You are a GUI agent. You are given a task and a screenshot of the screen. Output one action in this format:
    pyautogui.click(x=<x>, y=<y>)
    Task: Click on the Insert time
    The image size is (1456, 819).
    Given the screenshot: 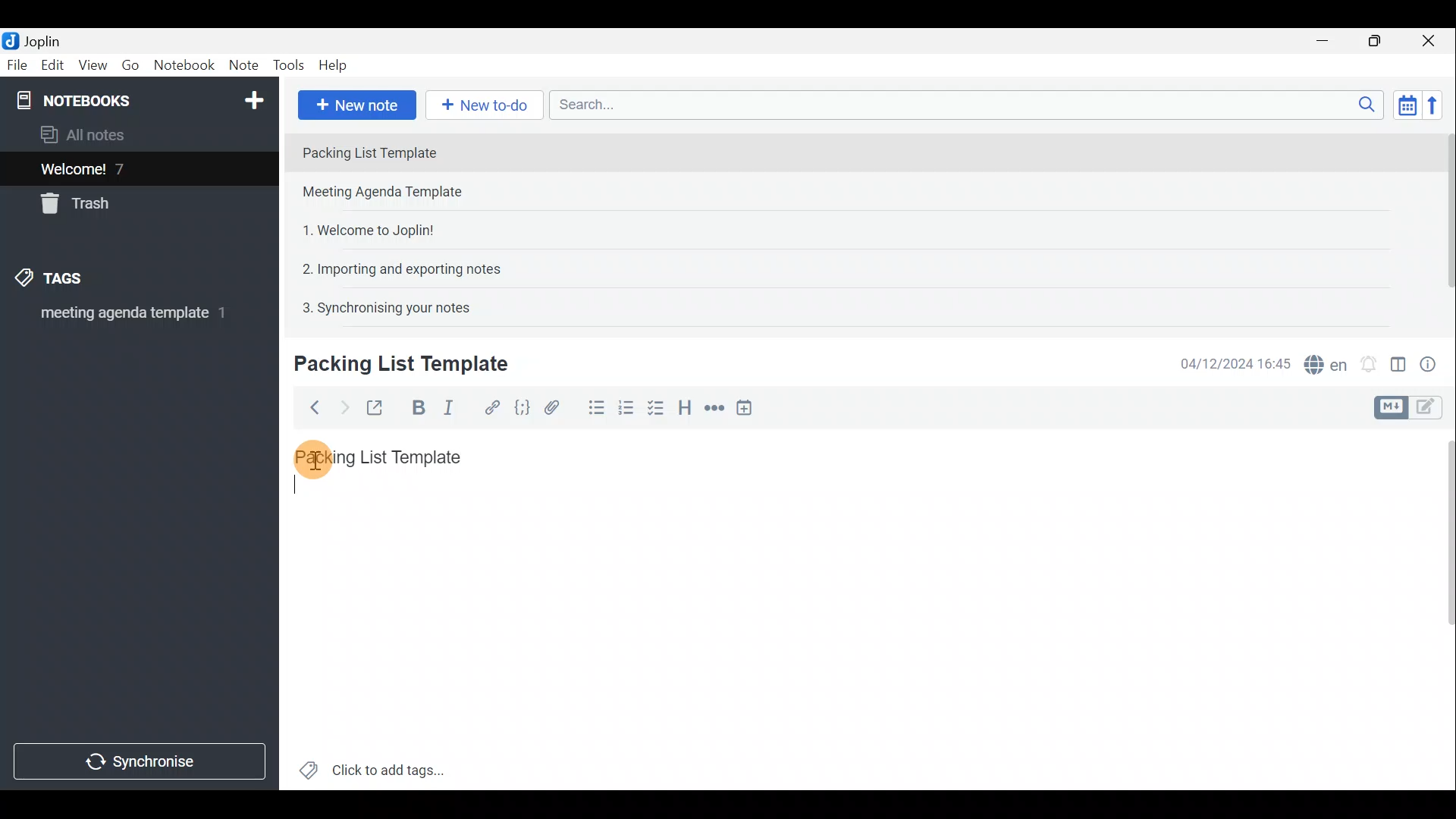 What is the action you would take?
    pyautogui.click(x=749, y=407)
    